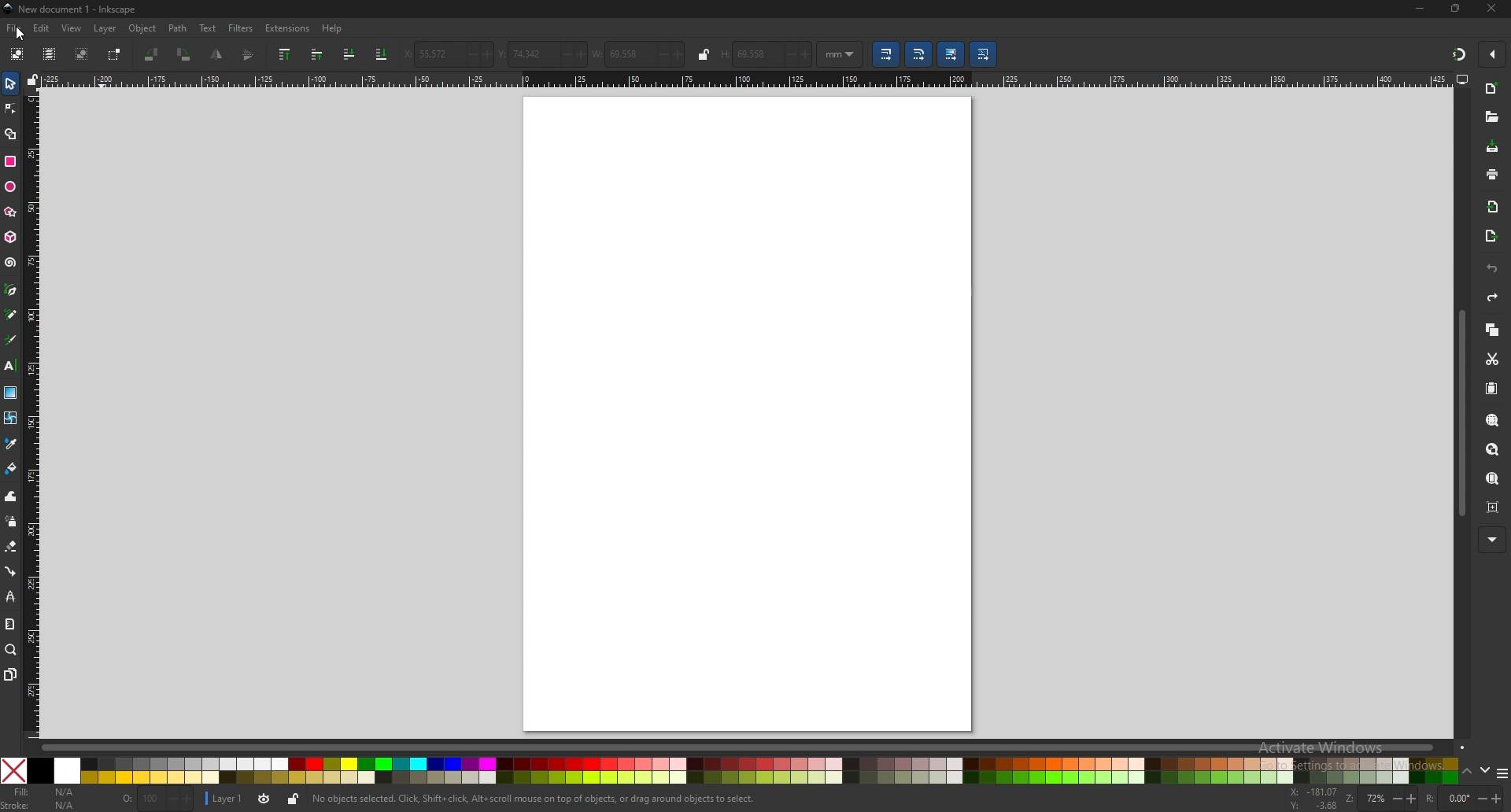 This screenshot has height=812, width=1511. What do you see at coordinates (1493, 389) in the screenshot?
I see `paste` at bounding box center [1493, 389].